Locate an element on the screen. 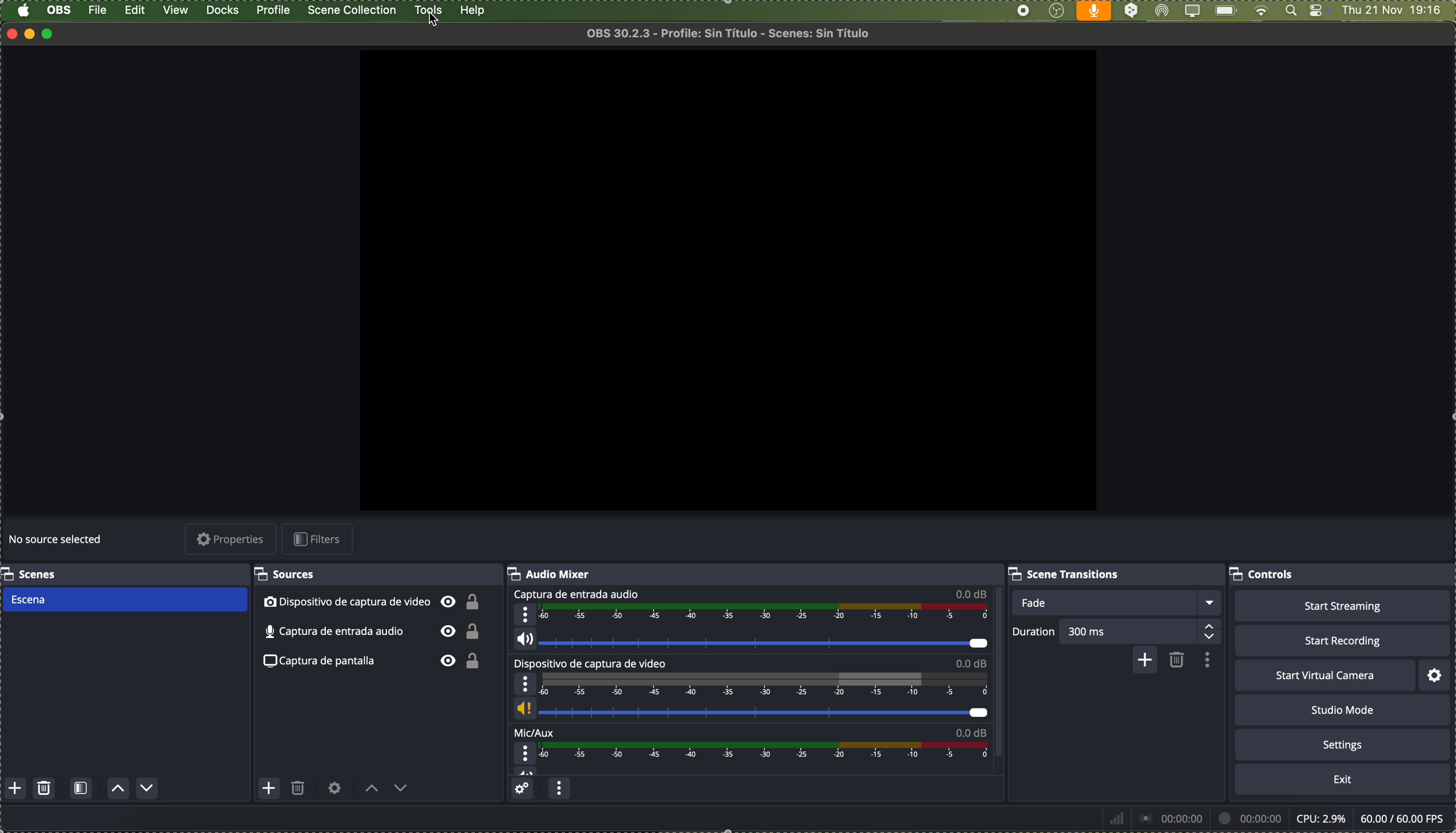 Image resolution: width=1456 pixels, height=833 pixels. remove selected scene is located at coordinates (45, 789).